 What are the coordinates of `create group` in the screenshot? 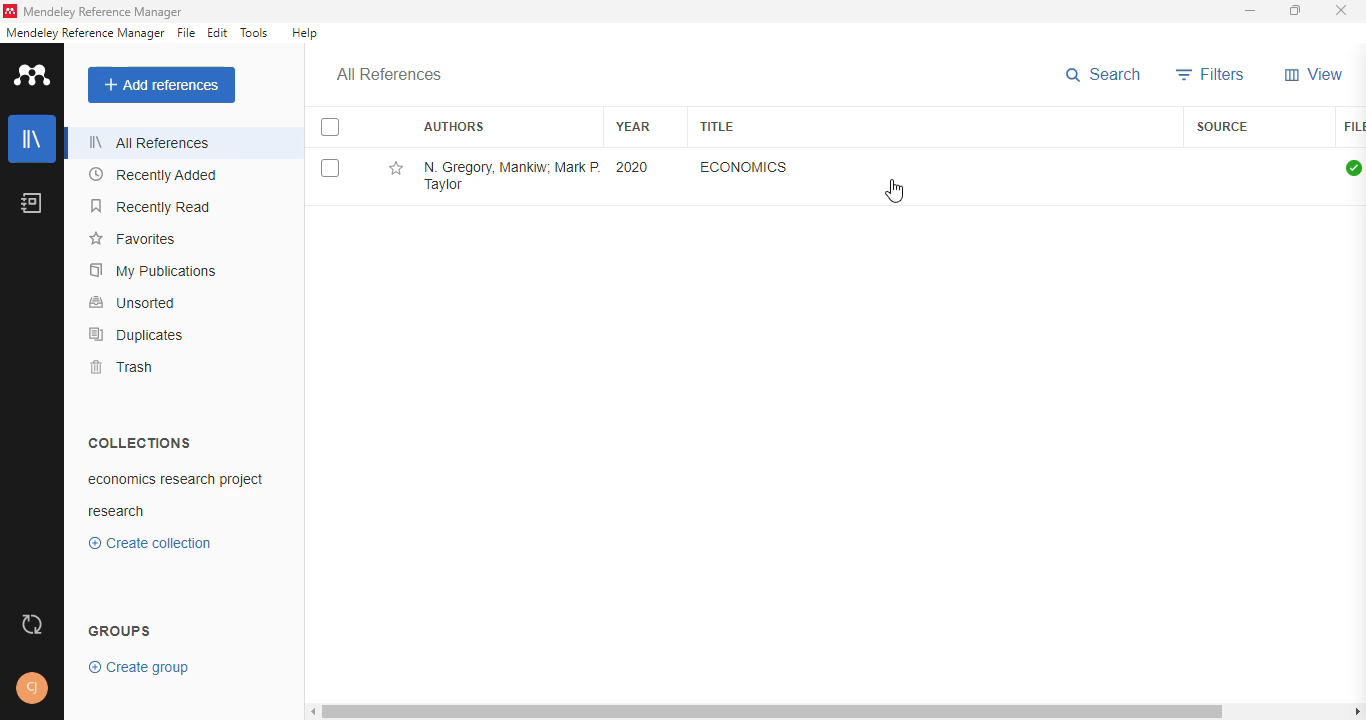 It's located at (139, 668).